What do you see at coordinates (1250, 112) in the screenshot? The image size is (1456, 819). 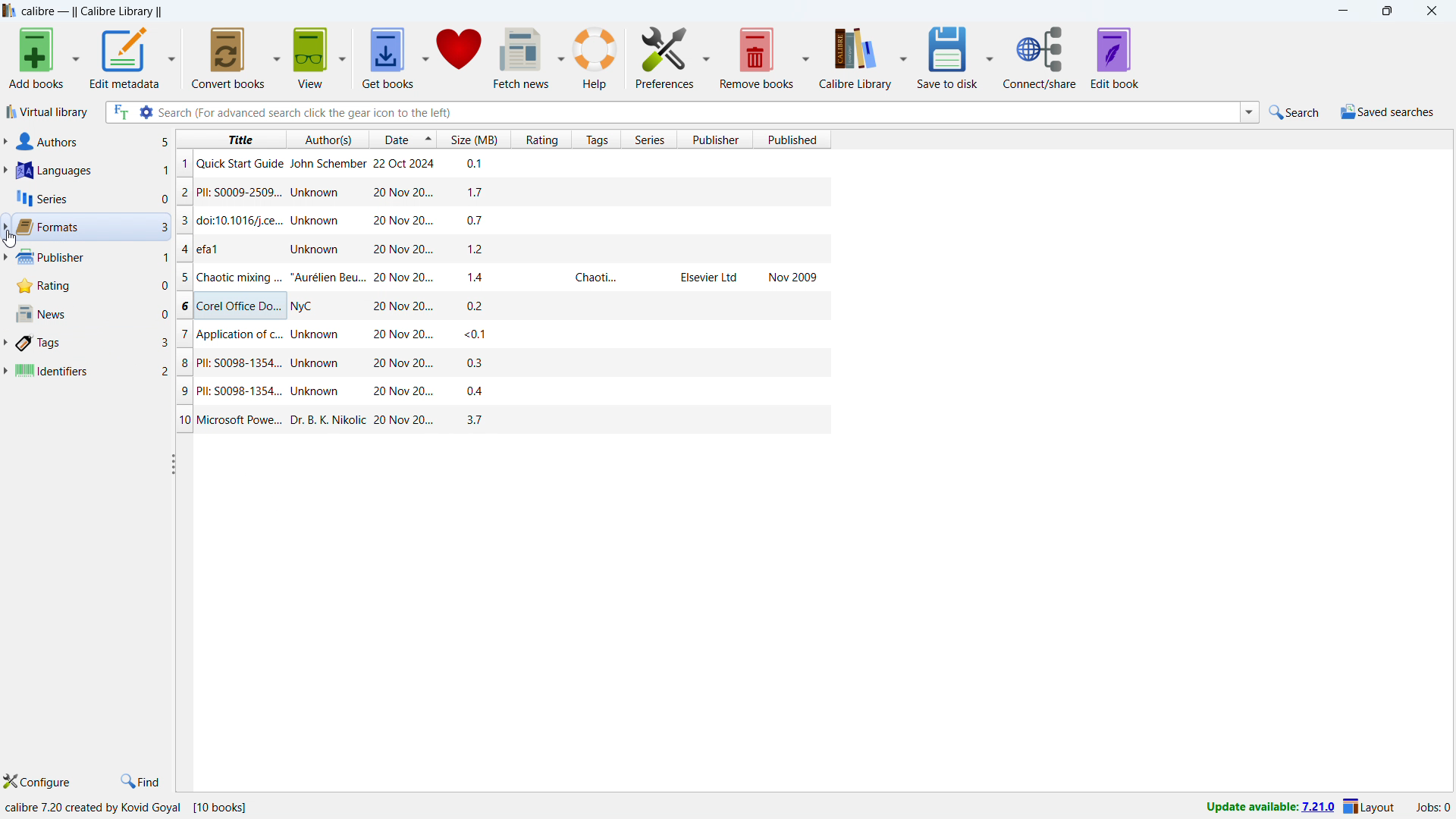 I see `serach history` at bounding box center [1250, 112].